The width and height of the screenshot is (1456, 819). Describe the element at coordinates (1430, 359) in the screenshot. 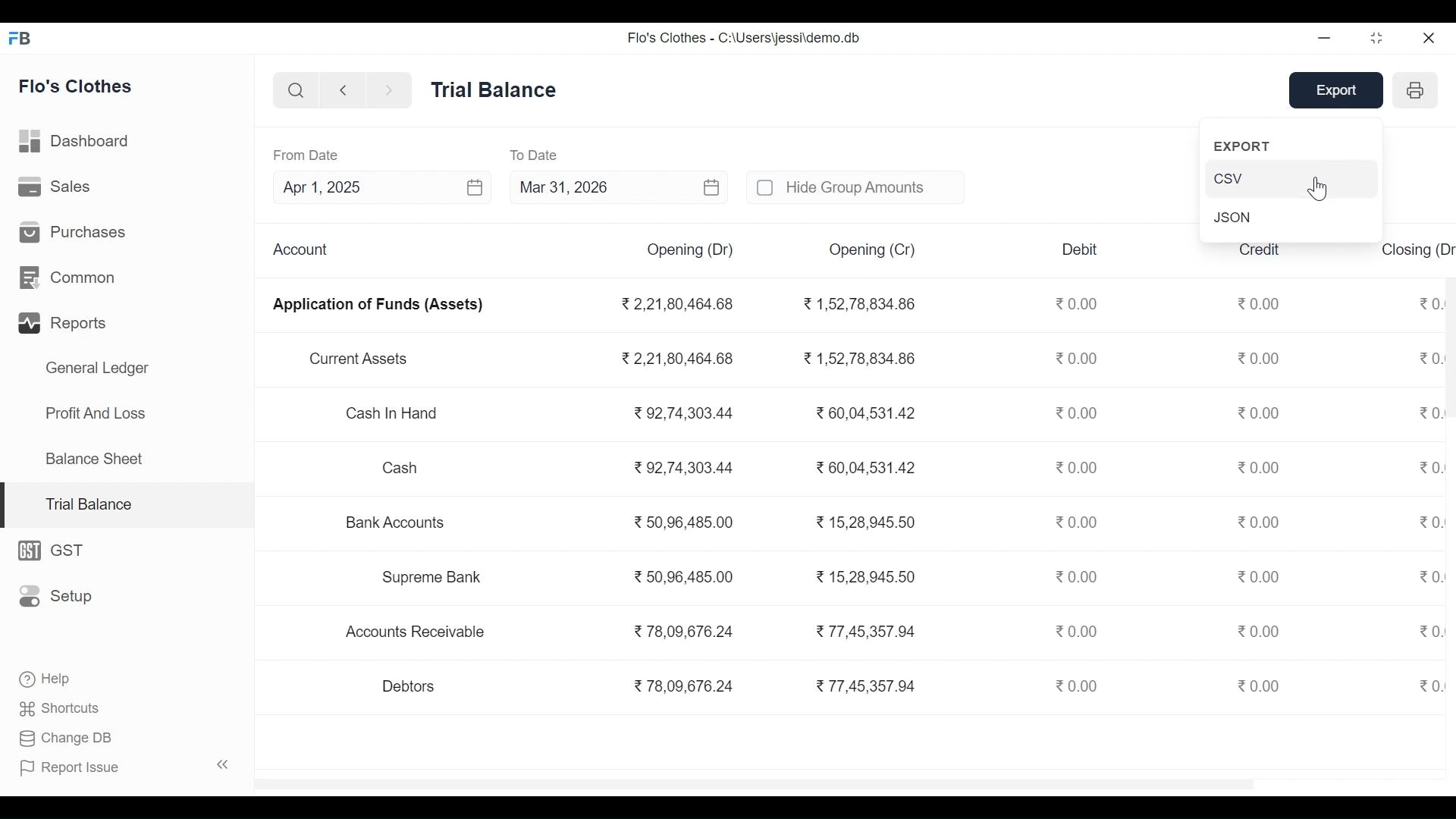

I see `0.00` at that location.